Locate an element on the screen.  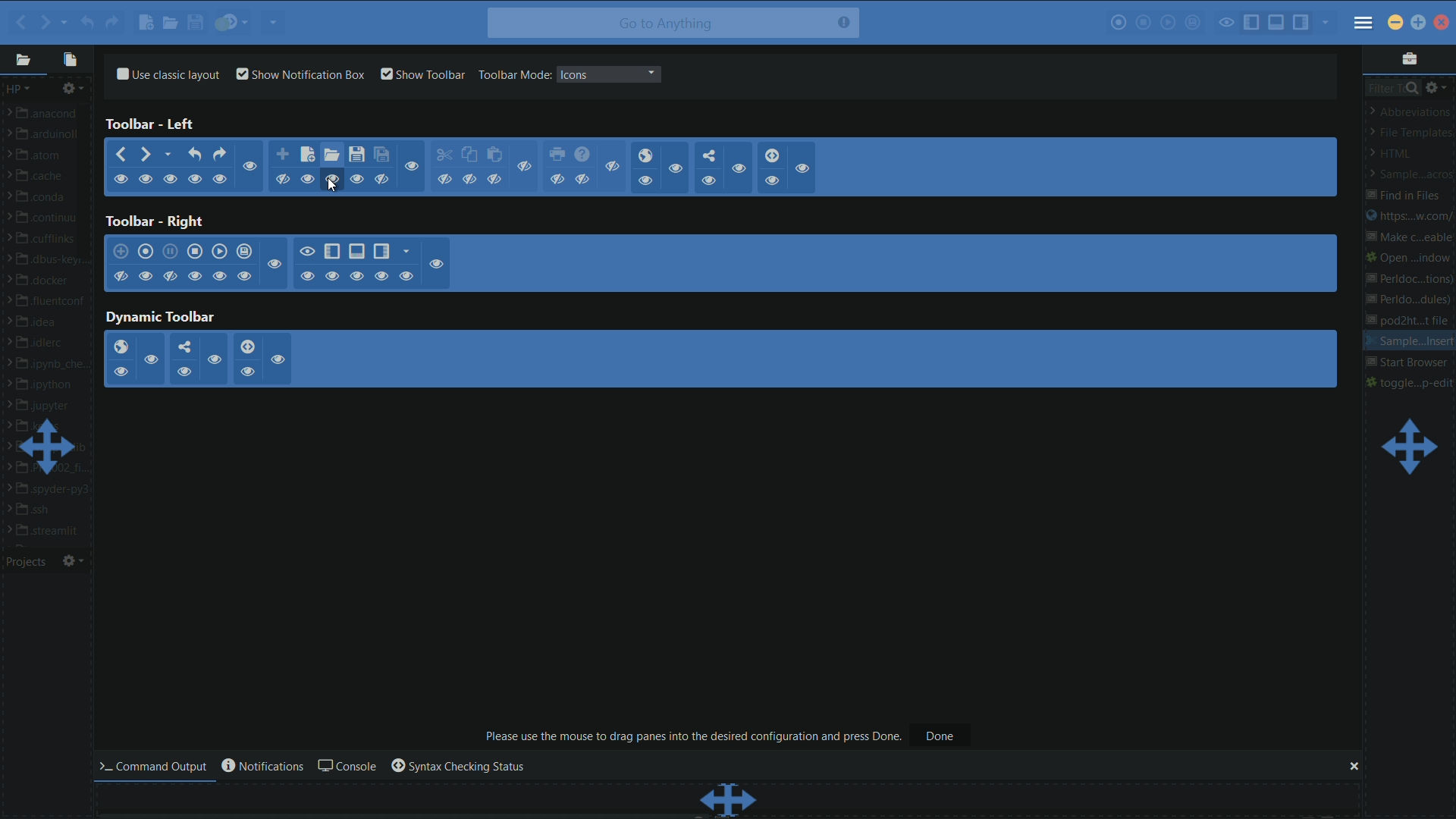
make c..eable is located at coordinates (1407, 239).